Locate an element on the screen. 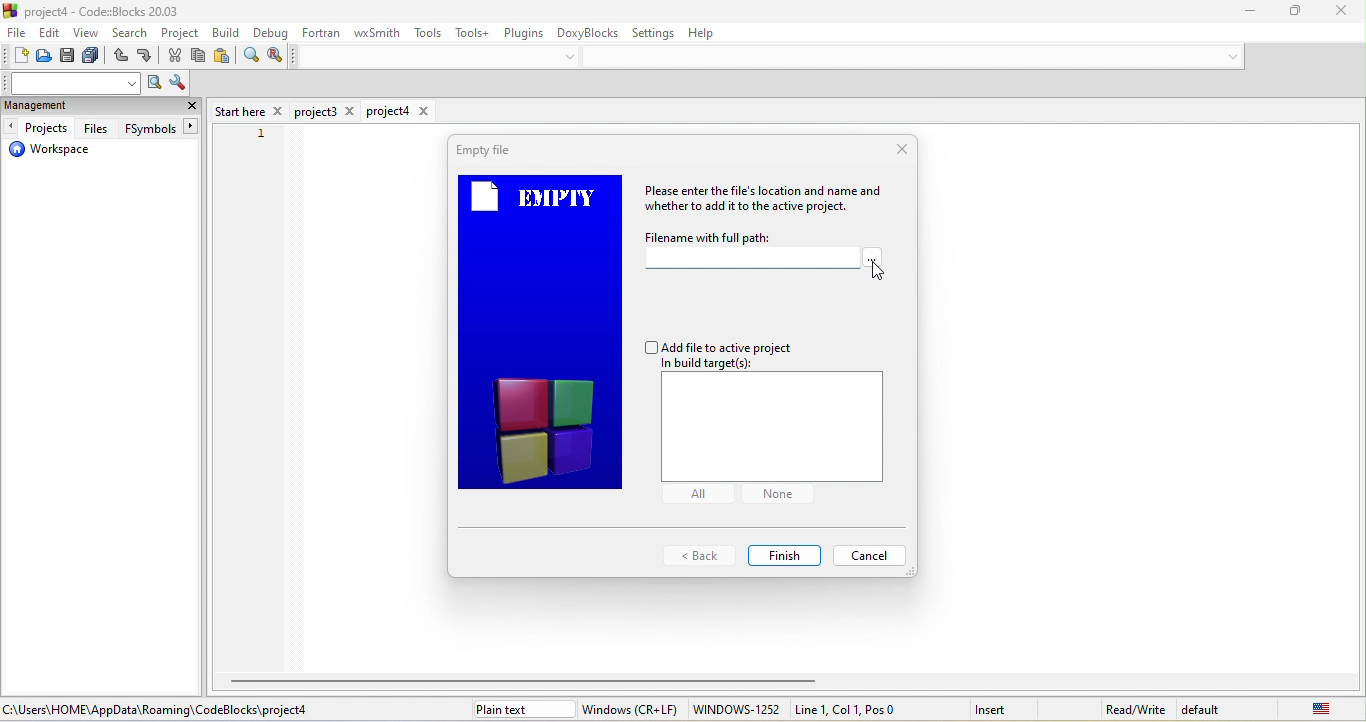 This screenshot has width=1366, height=722. empty file is located at coordinates (538, 341).